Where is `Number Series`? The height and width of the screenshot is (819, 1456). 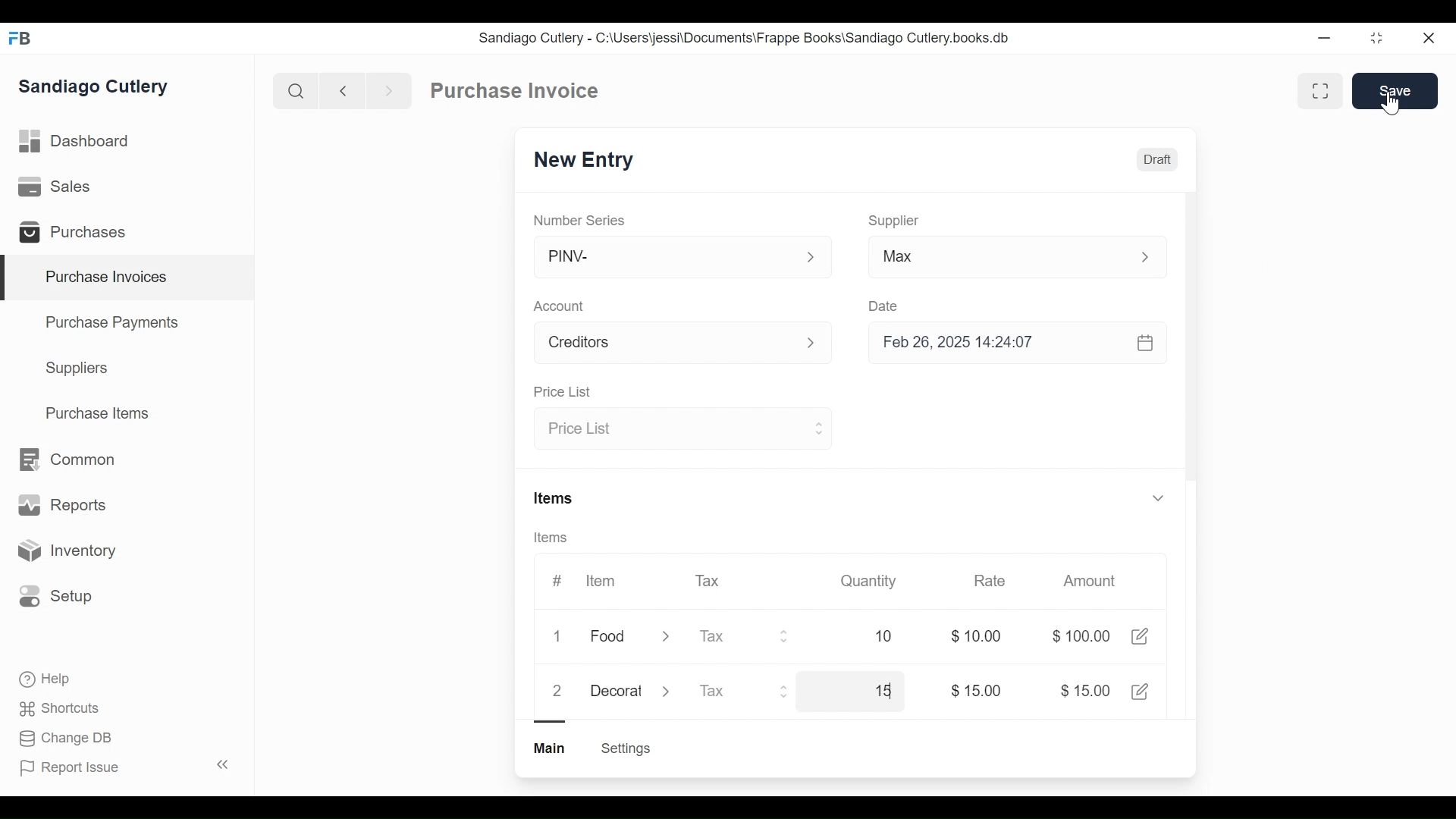
Number Series is located at coordinates (581, 220).